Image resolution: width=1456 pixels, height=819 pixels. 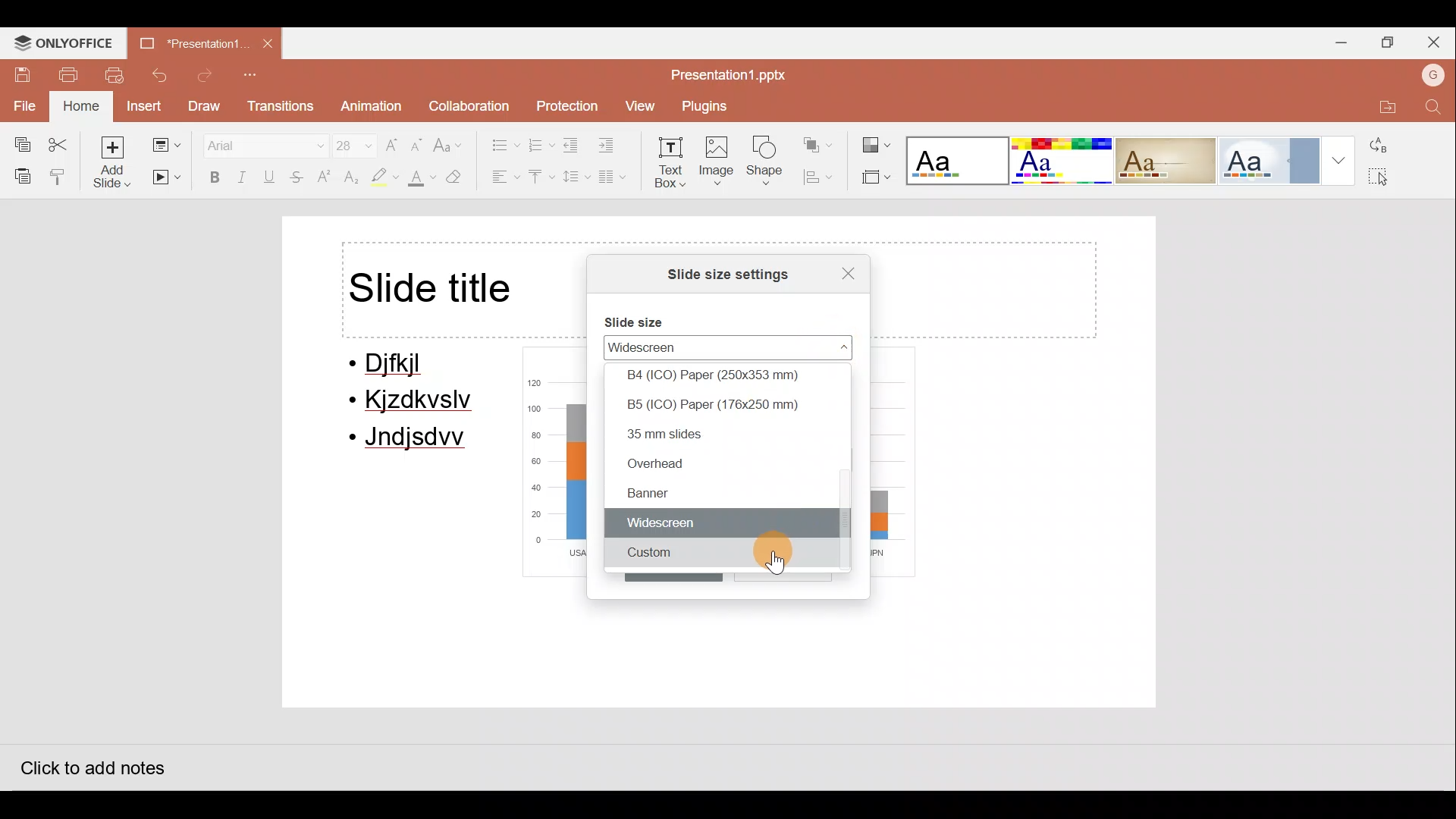 I want to click on Widescreen, so click(x=723, y=525).